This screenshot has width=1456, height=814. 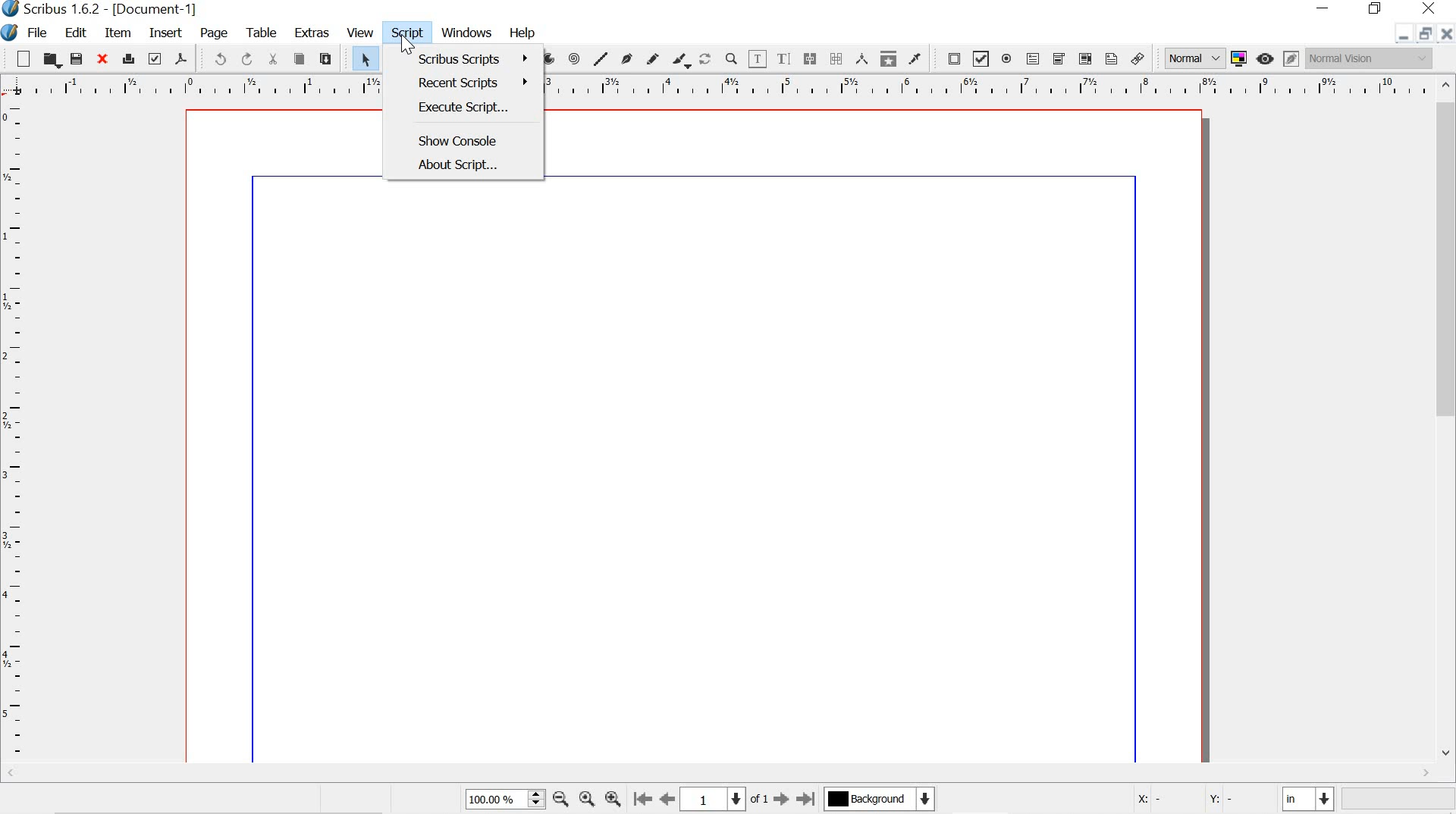 What do you see at coordinates (472, 109) in the screenshot?
I see `execute script` at bounding box center [472, 109].